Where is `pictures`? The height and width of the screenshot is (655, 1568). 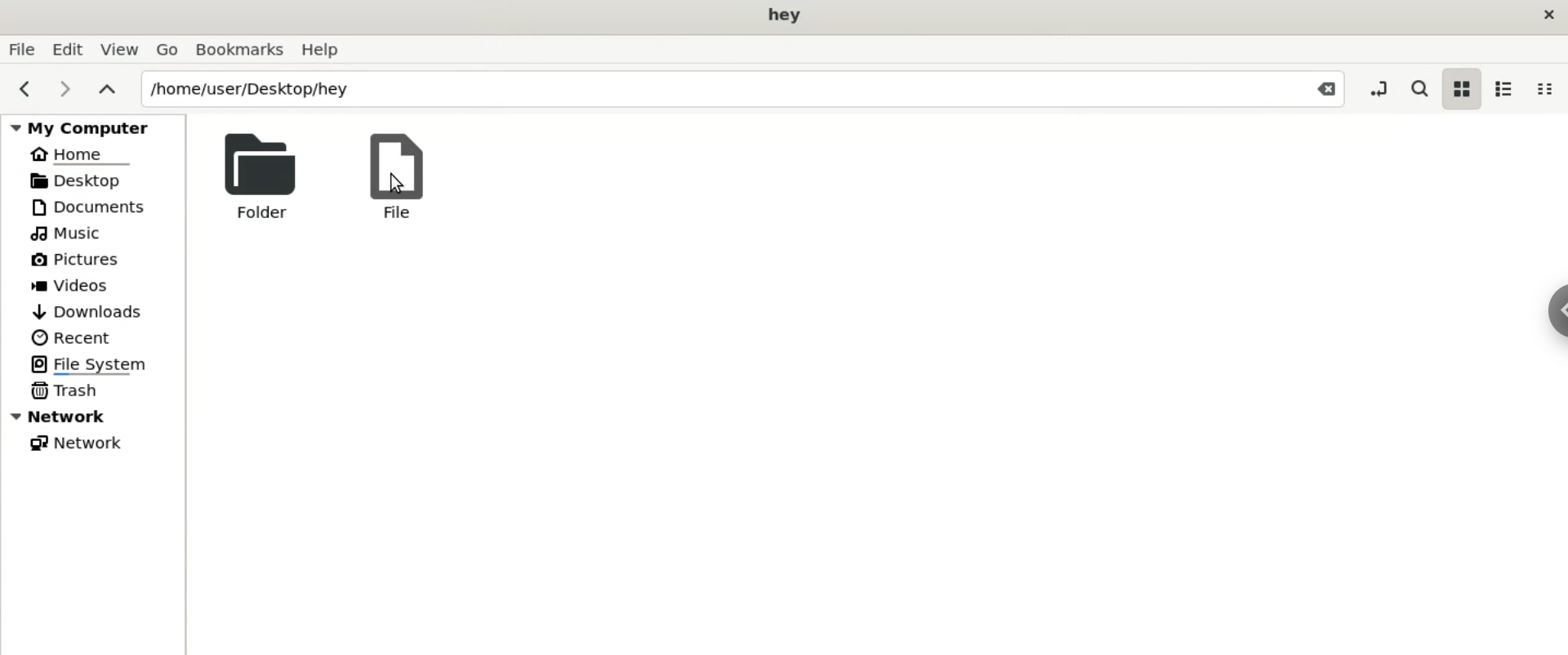
pictures is located at coordinates (76, 261).